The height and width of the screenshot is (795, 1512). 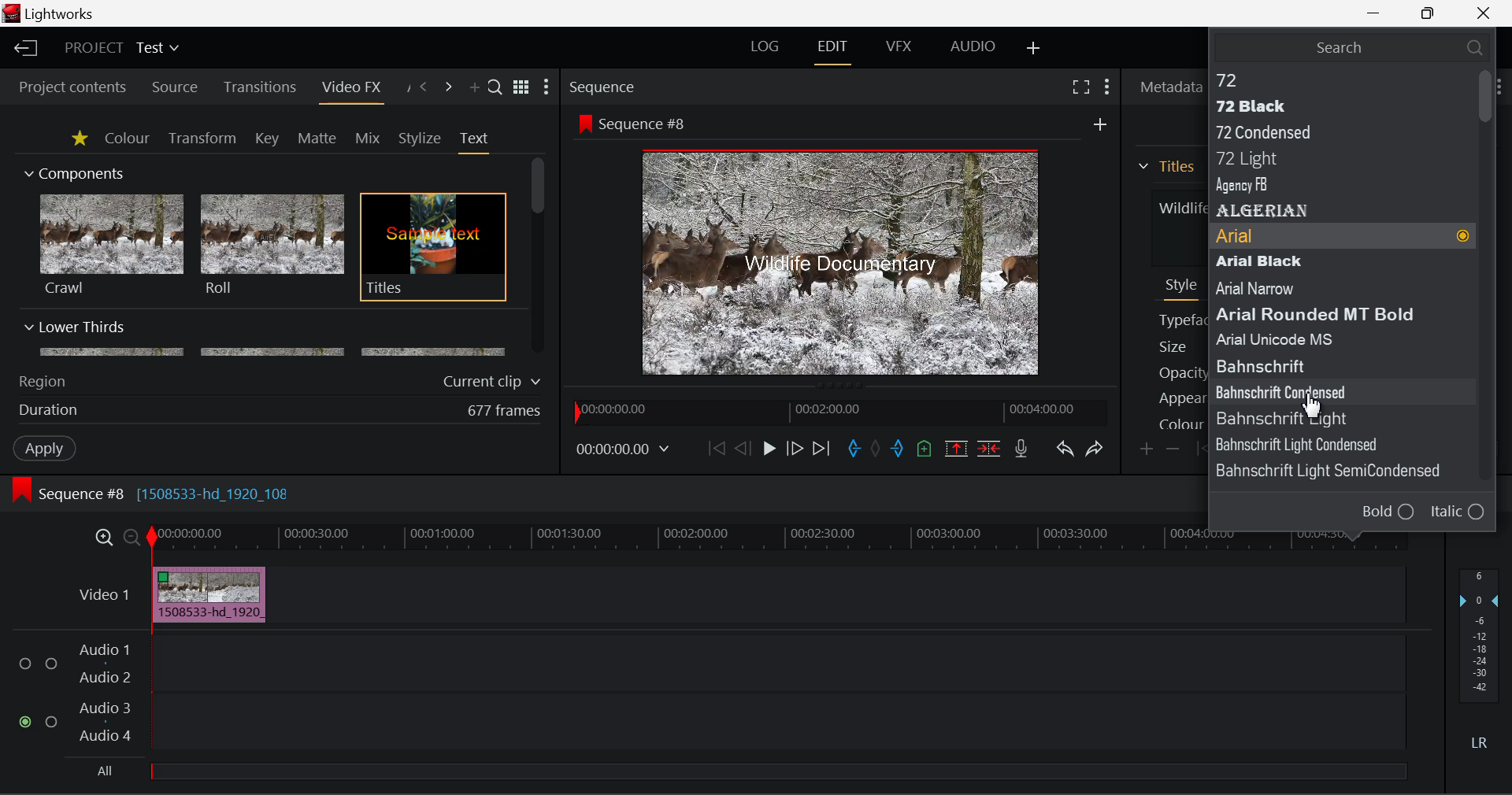 I want to click on icon, so click(x=584, y=123).